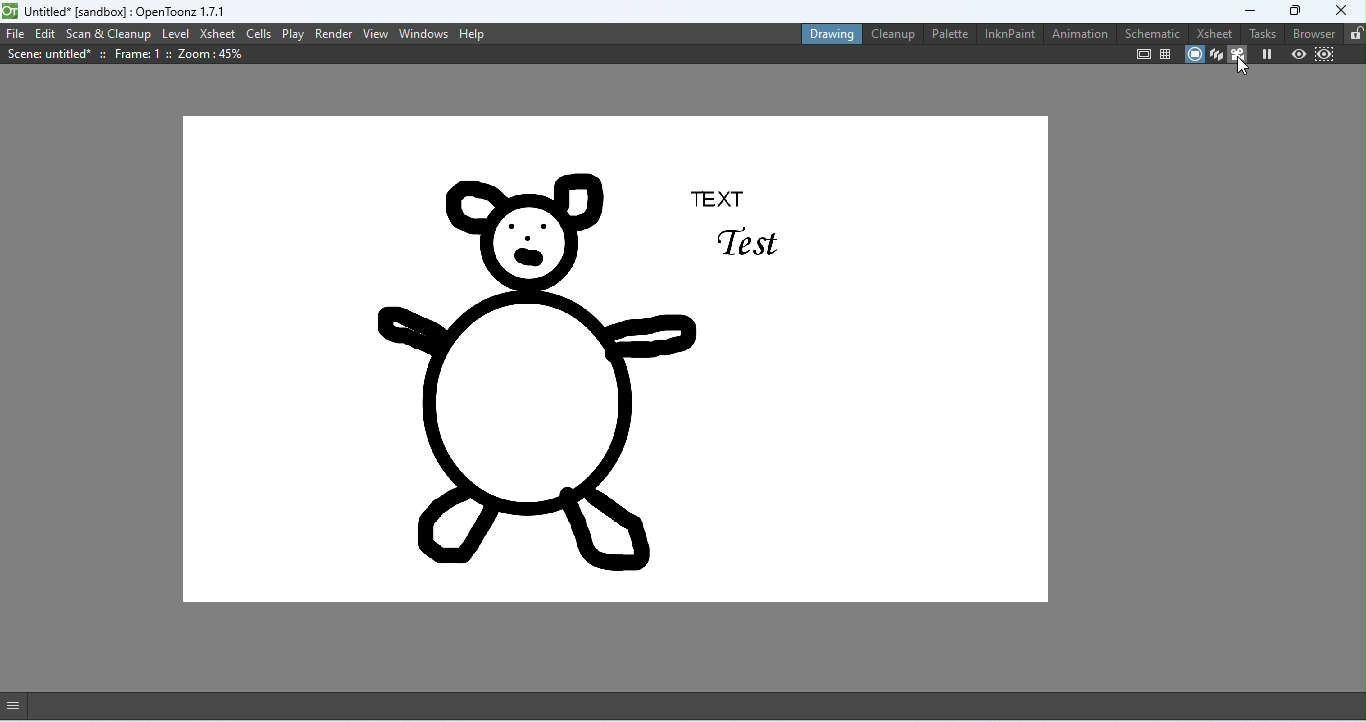  I want to click on close, so click(1344, 10).